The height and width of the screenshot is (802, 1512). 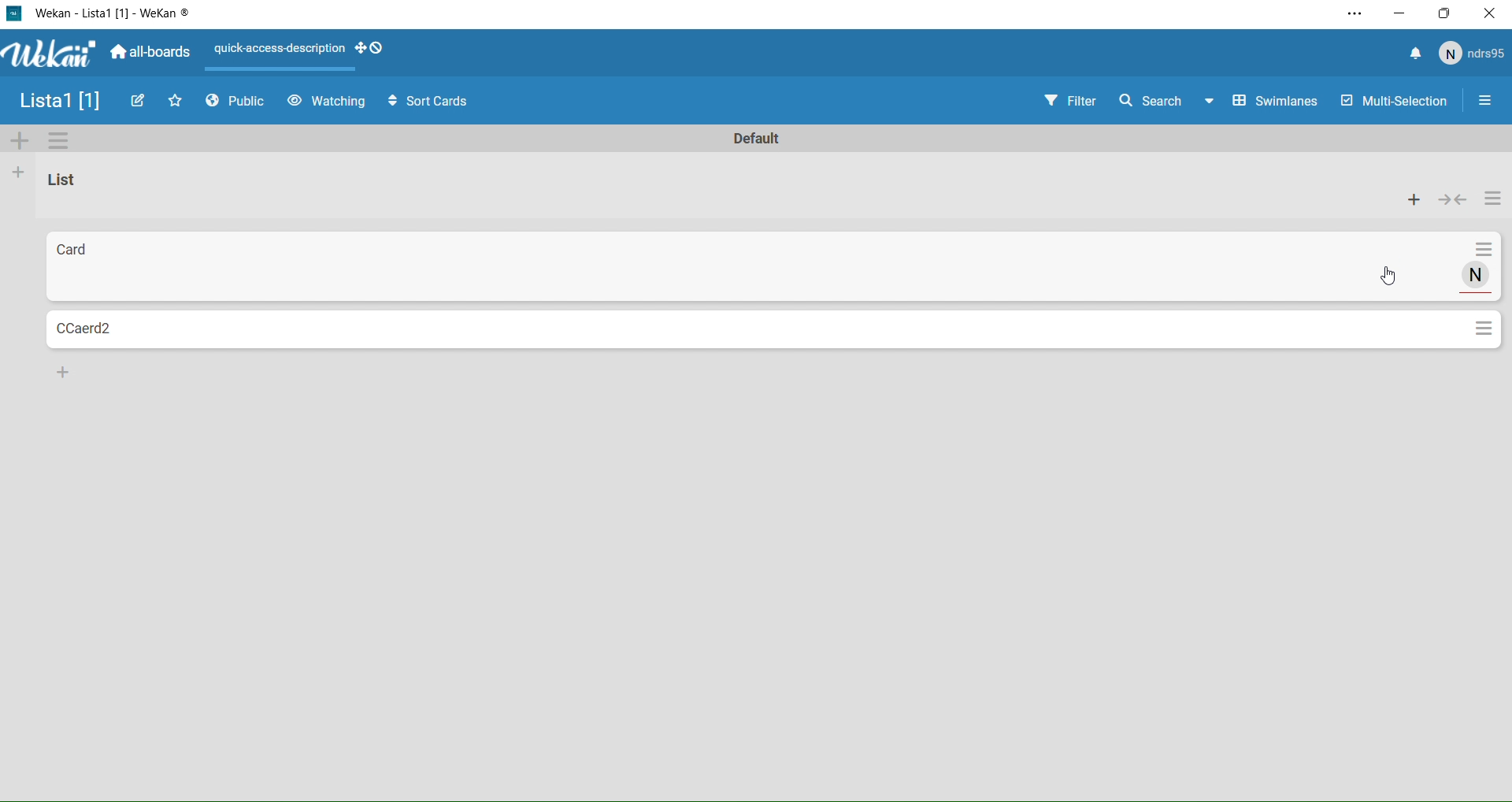 I want to click on All boards, so click(x=152, y=54).